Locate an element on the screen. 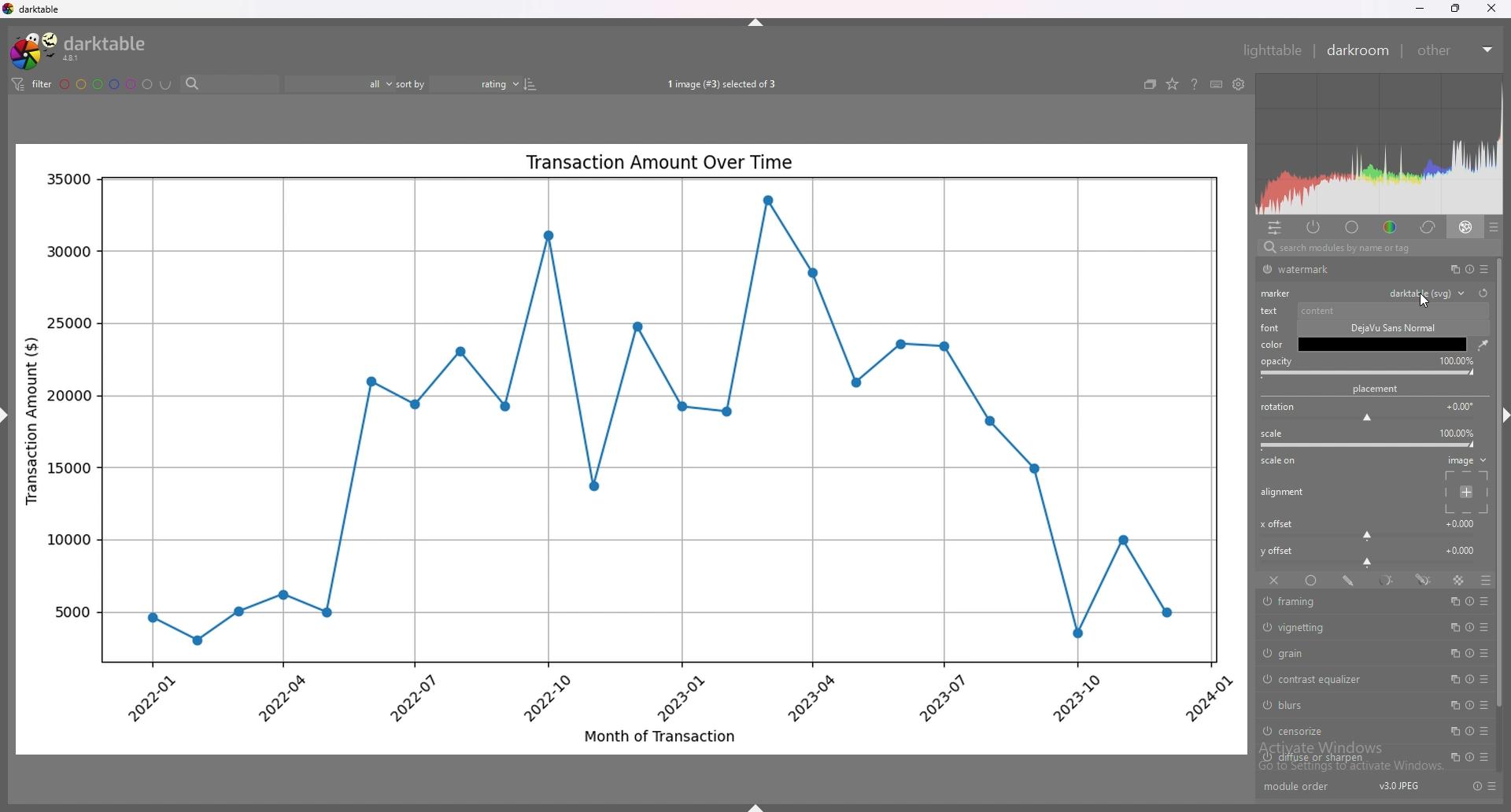  placement is located at coordinates (1469, 493).